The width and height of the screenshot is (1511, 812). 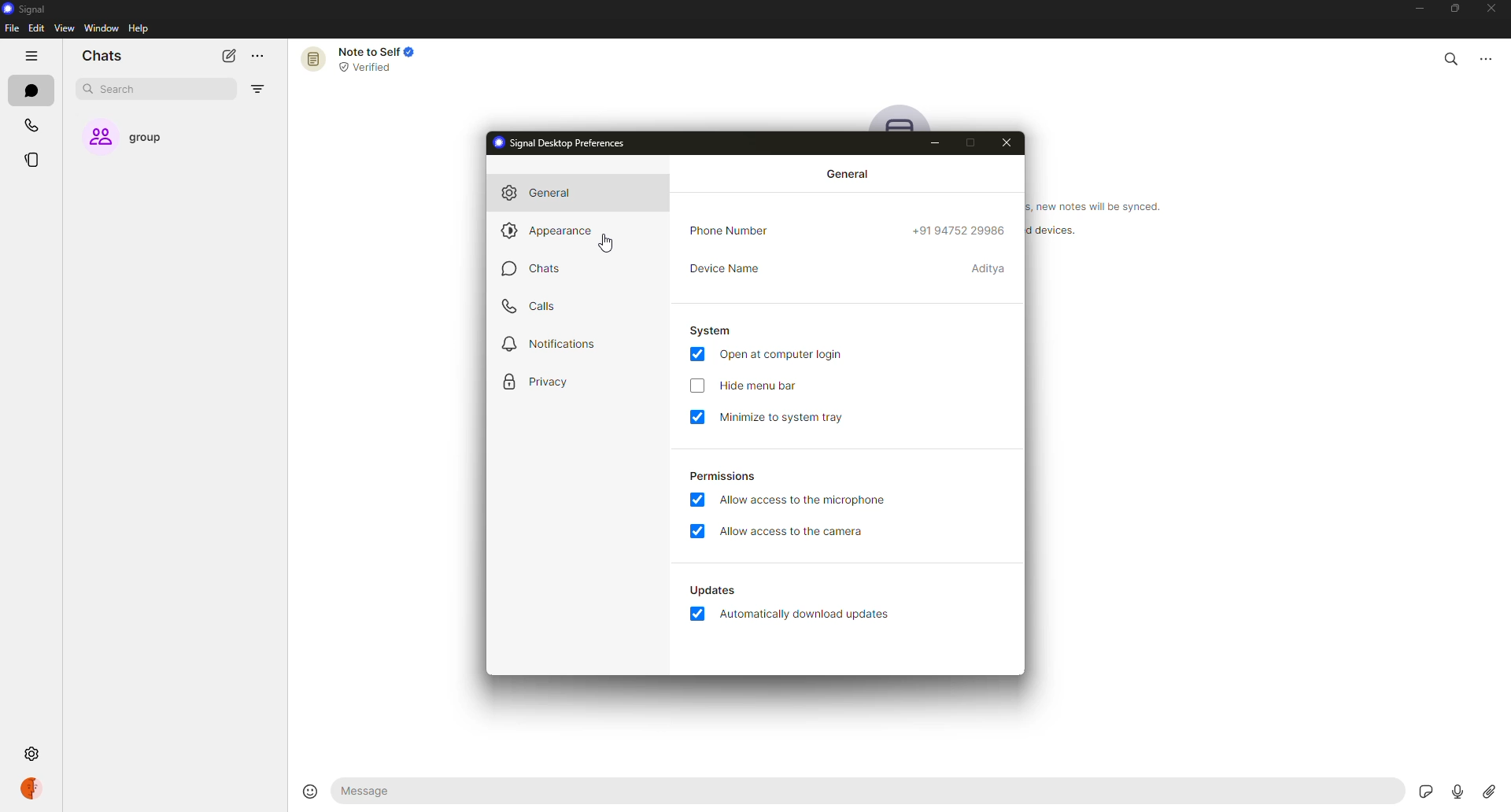 What do you see at coordinates (988, 269) in the screenshot?
I see `device name` at bounding box center [988, 269].